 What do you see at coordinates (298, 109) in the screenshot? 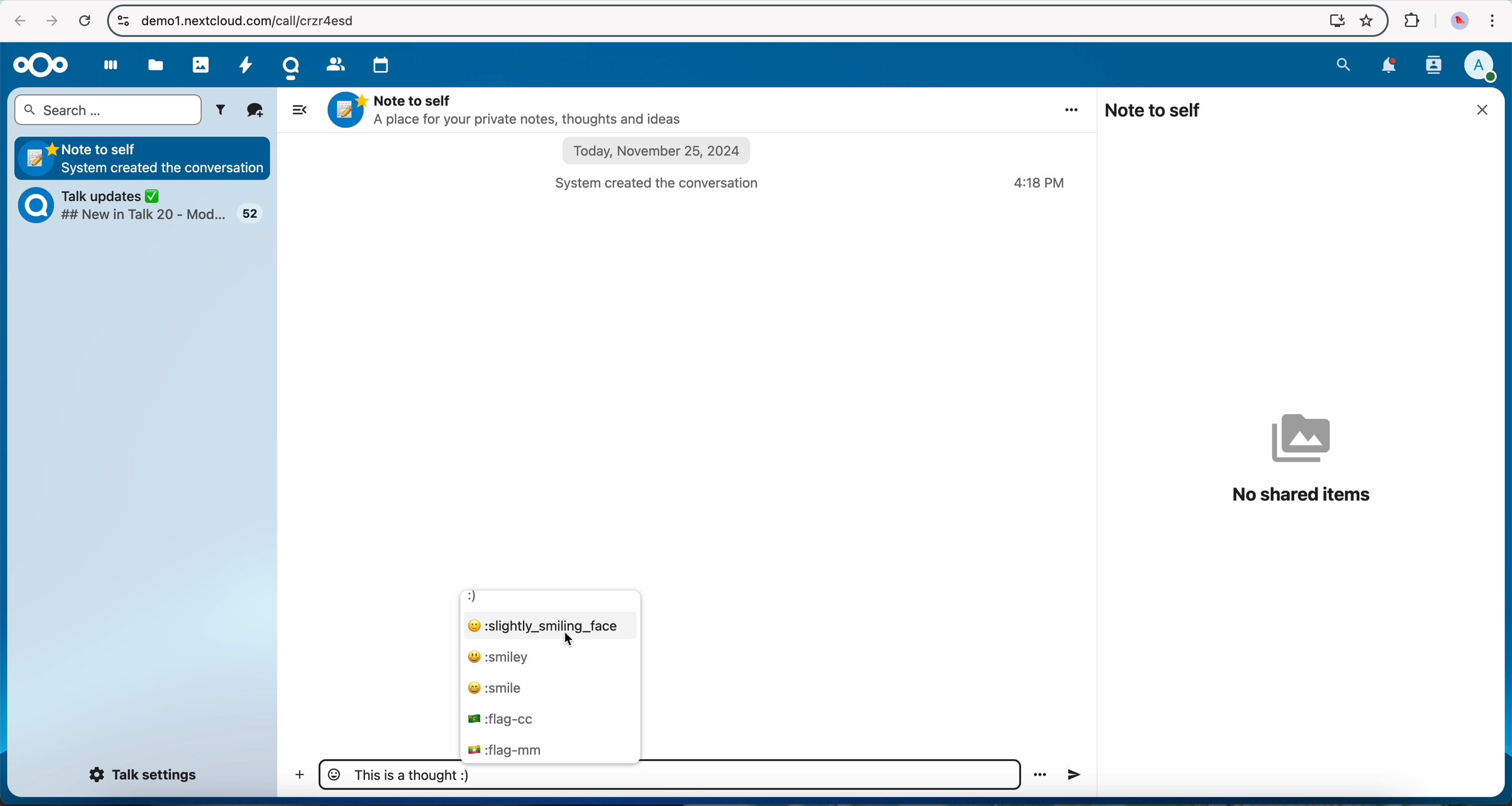
I see `hide side bar` at bounding box center [298, 109].